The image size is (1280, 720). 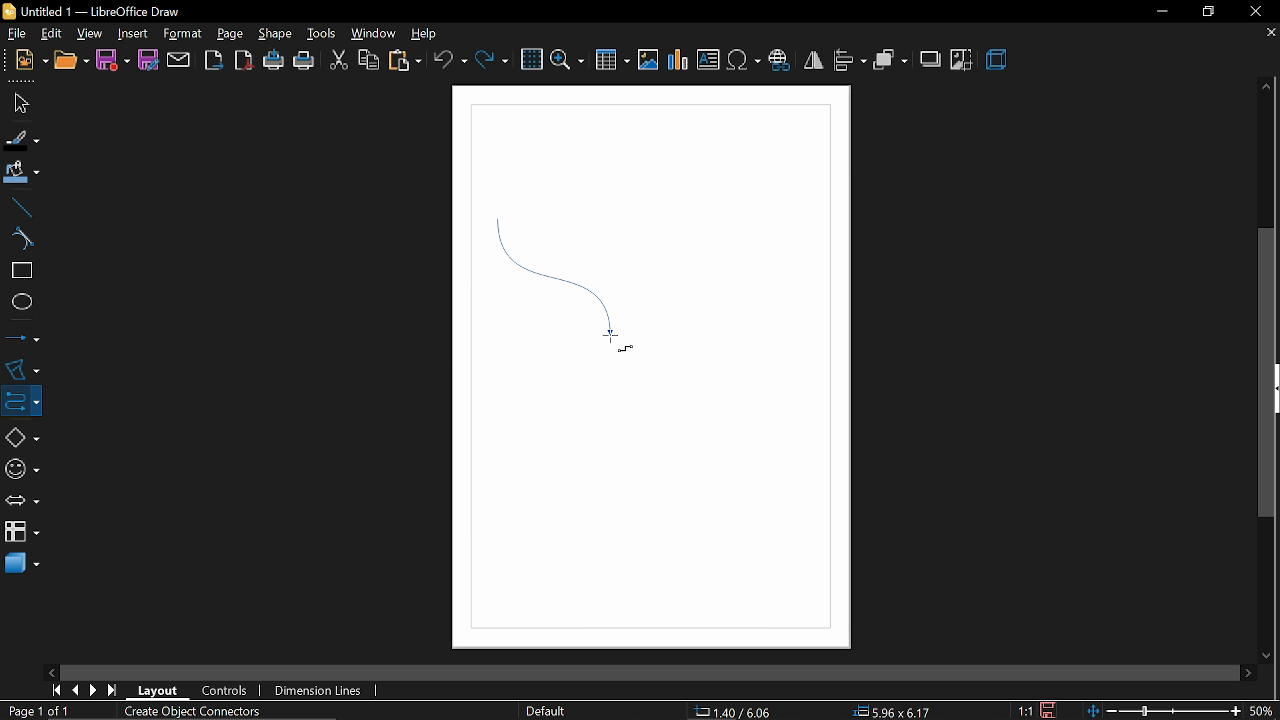 I want to click on connector, so click(x=19, y=399).